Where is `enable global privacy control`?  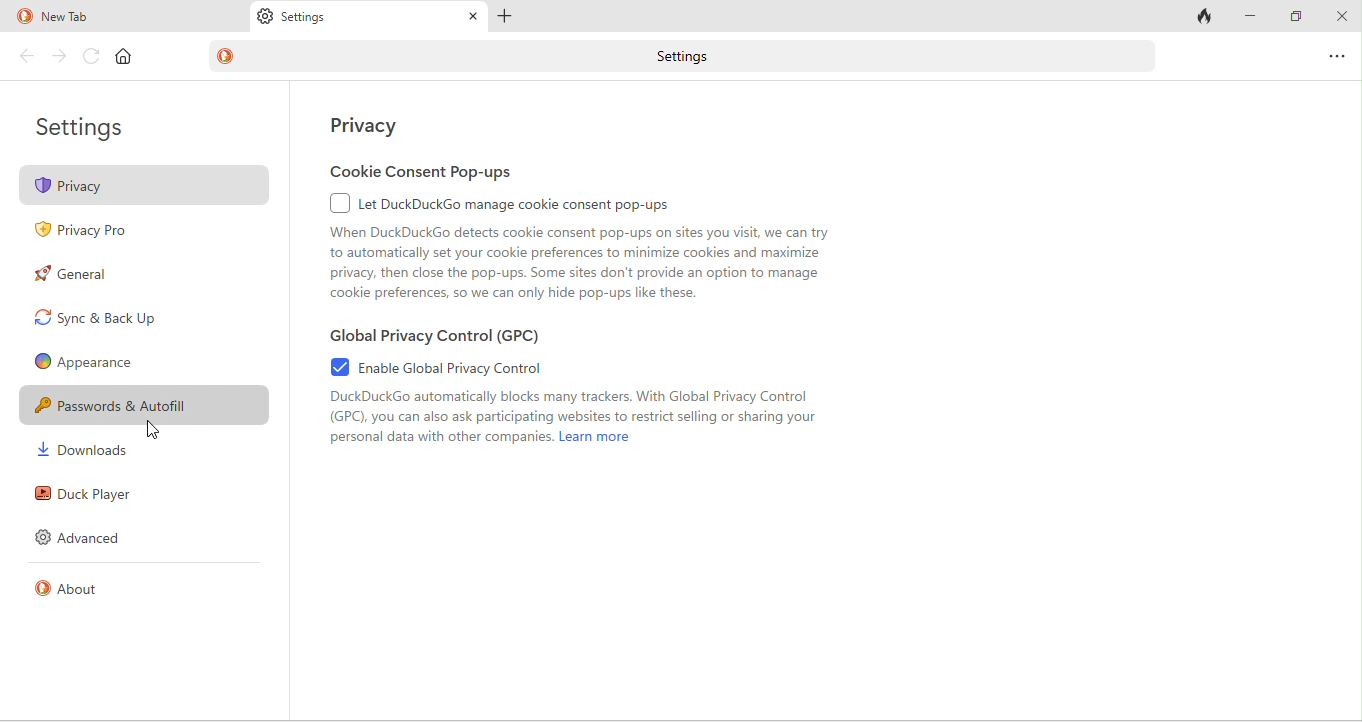
enable global privacy control is located at coordinates (452, 368).